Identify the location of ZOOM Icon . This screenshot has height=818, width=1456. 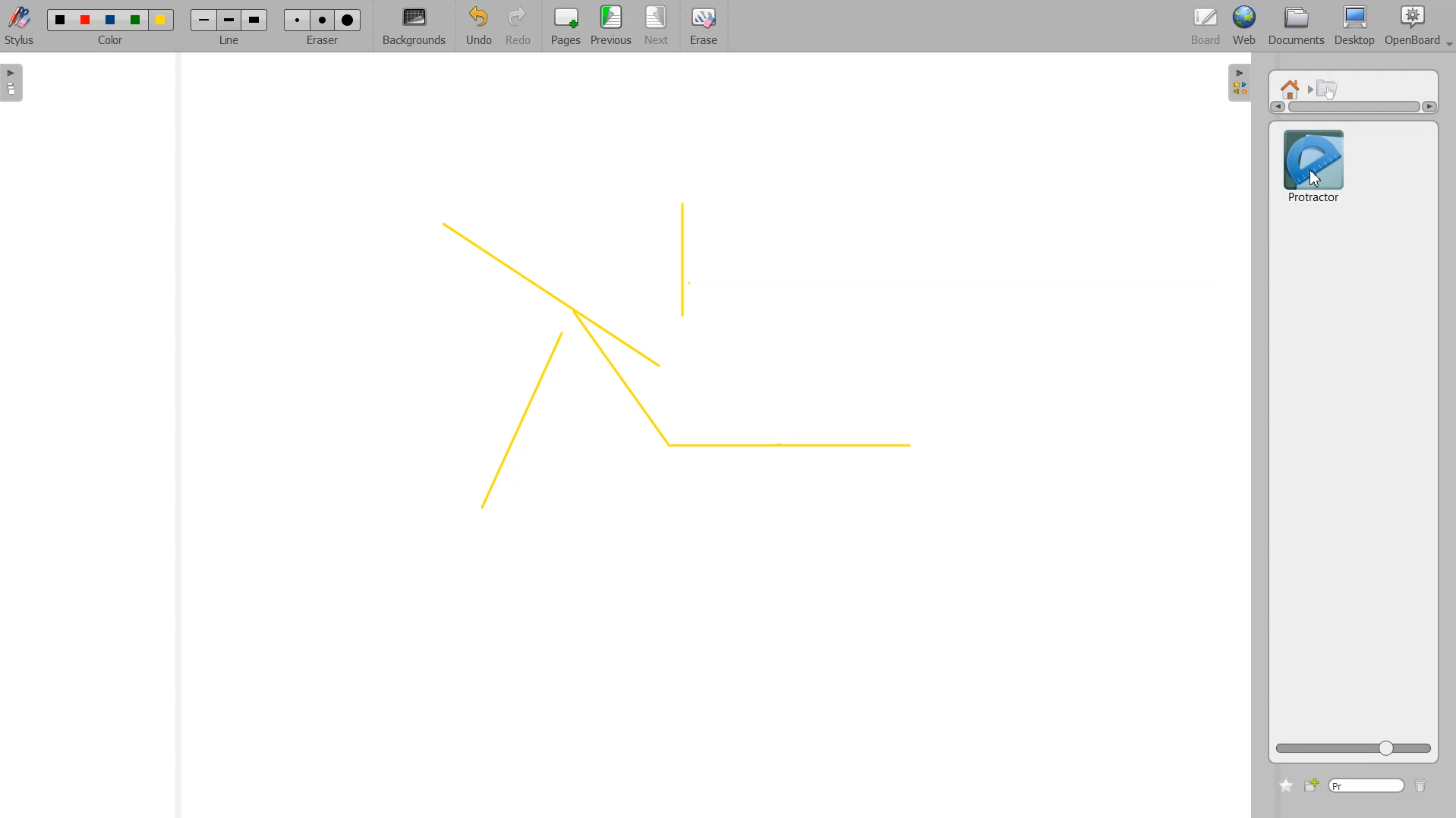
(1354, 748).